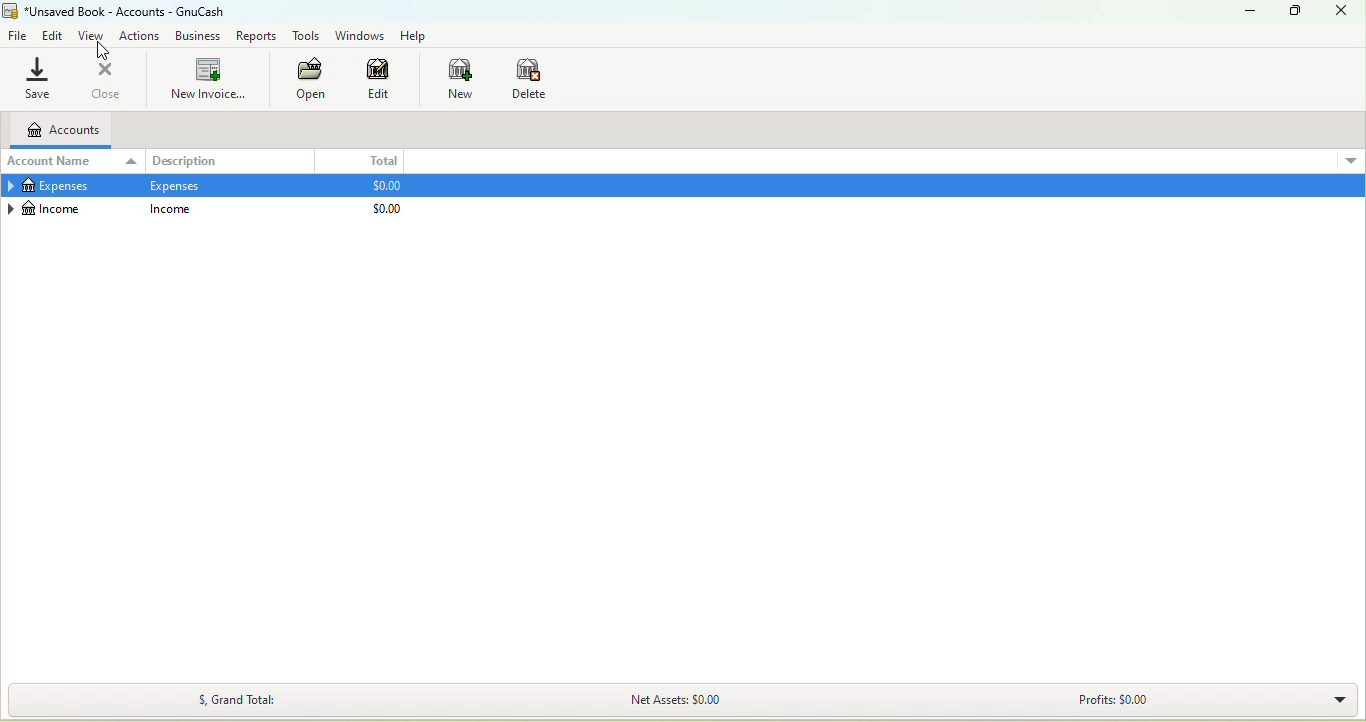 This screenshot has width=1366, height=722. Describe the element at coordinates (107, 77) in the screenshot. I see `Close` at that location.